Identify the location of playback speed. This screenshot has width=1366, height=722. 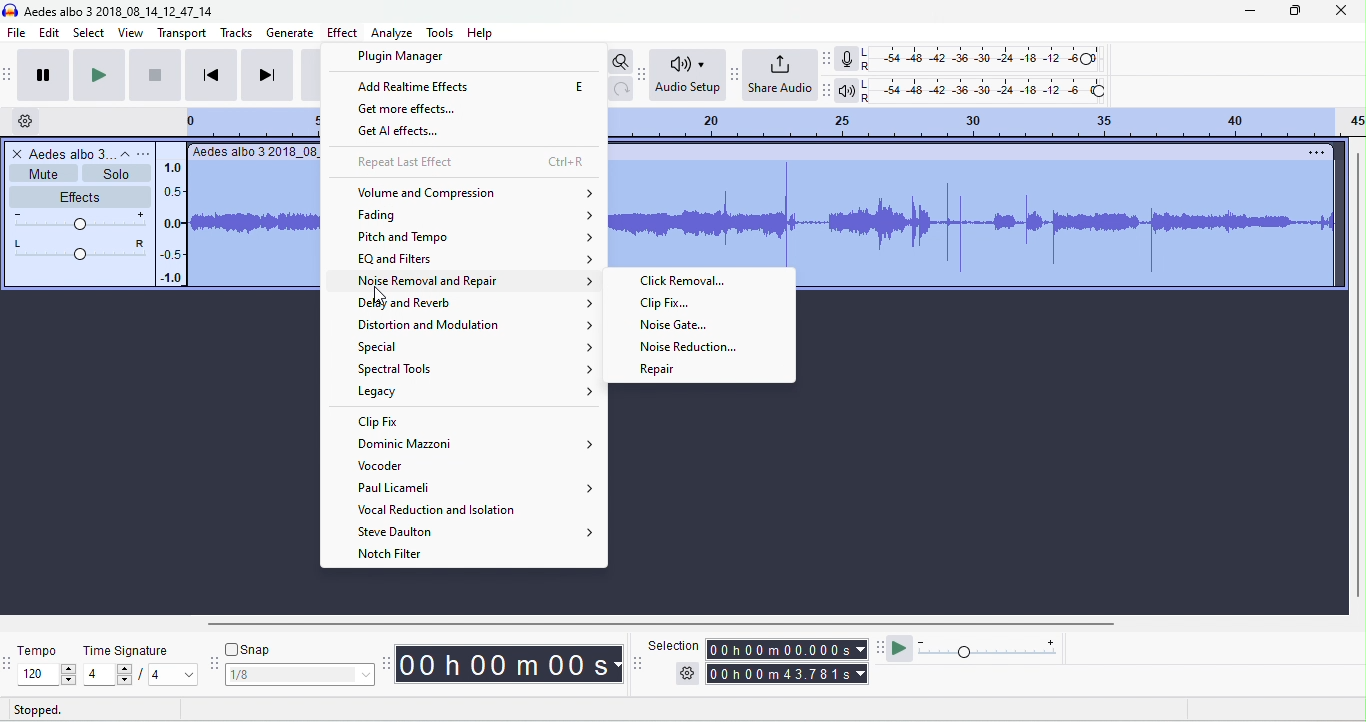
(991, 649).